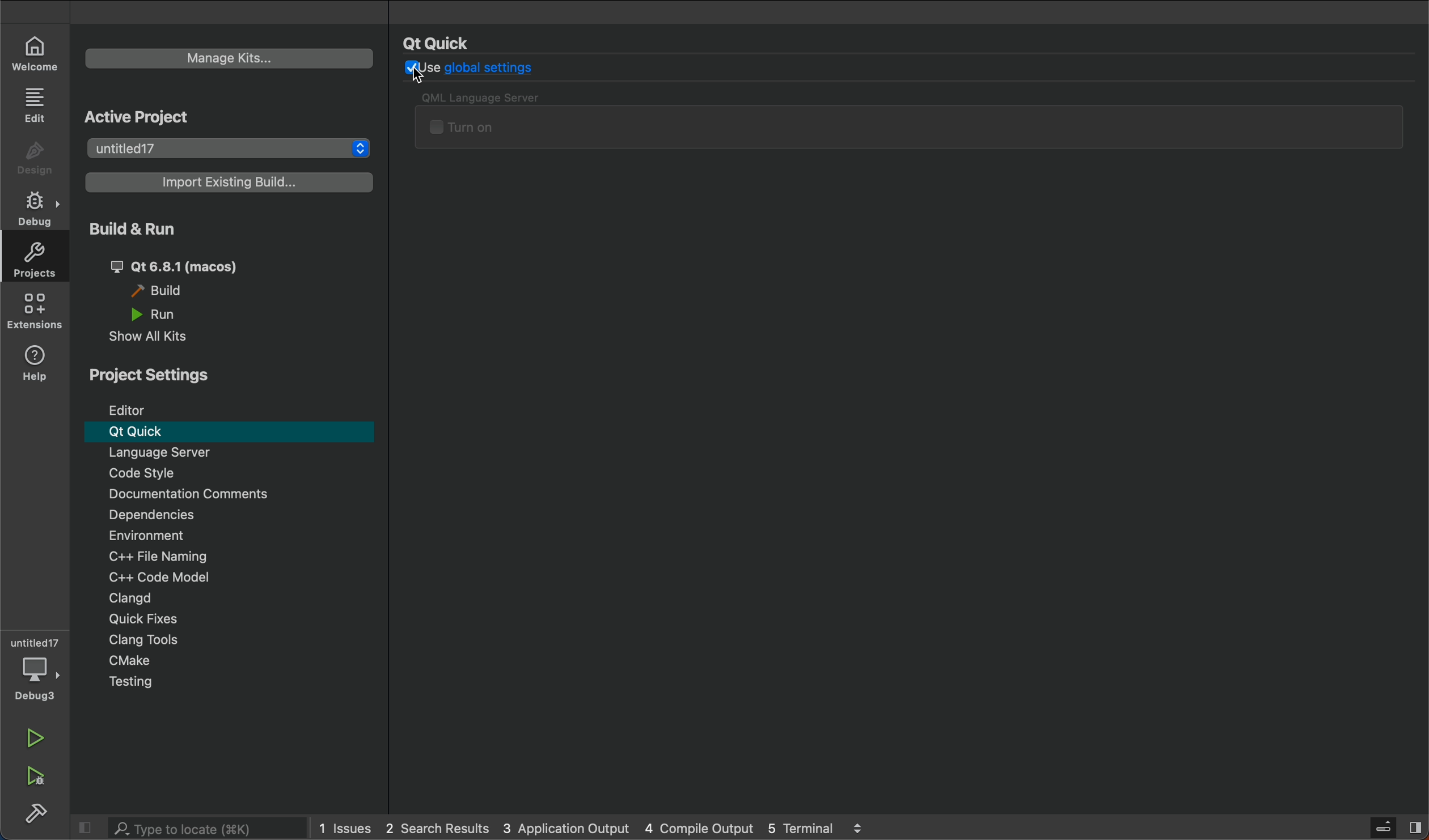 Image resolution: width=1429 pixels, height=840 pixels. Describe the element at coordinates (238, 495) in the screenshot. I see `Documentation ` at that location.